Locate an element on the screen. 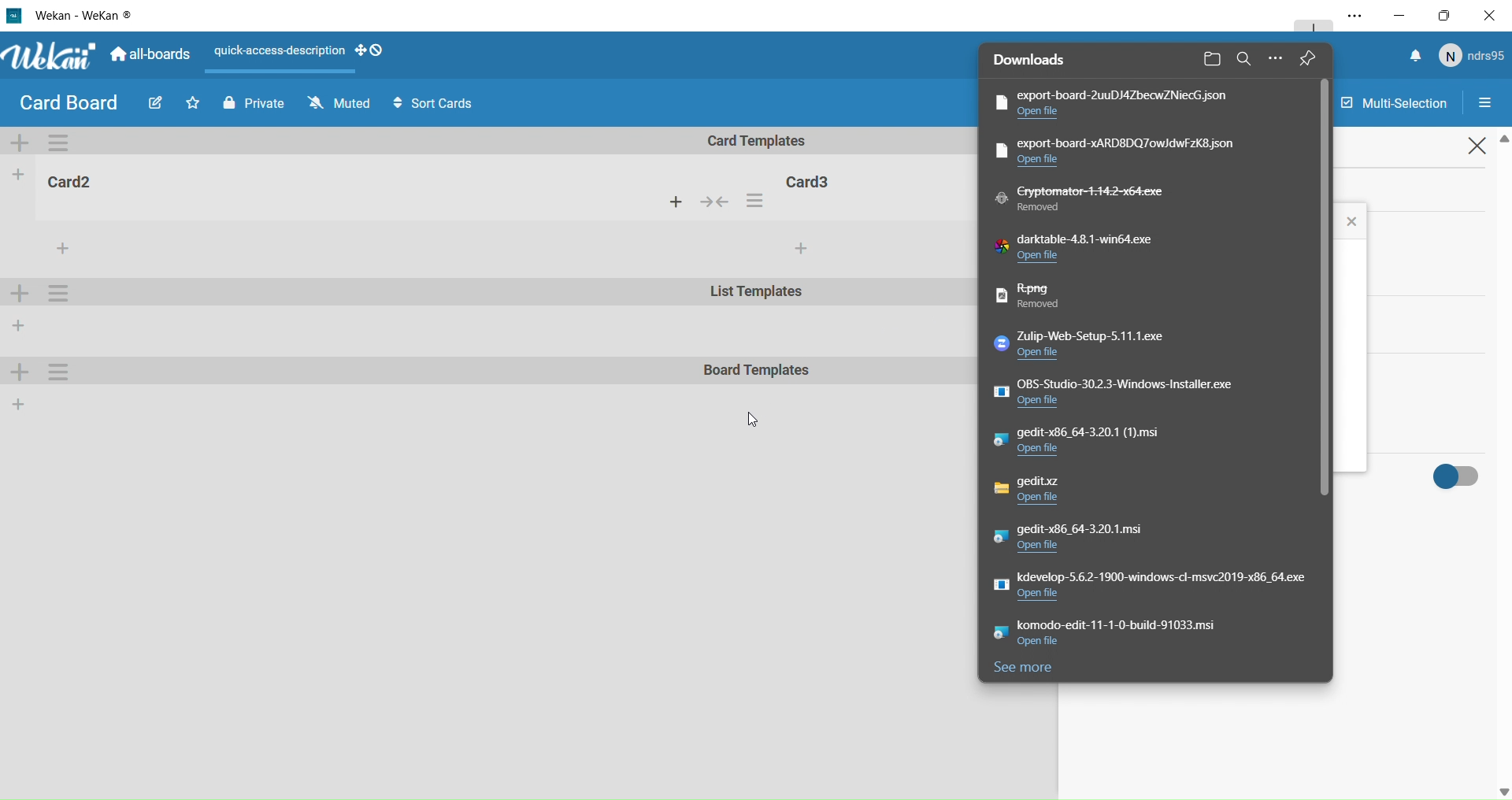 This screenshot has width=1512, height=800. downloaded file is located at coordinates (1084, 346).